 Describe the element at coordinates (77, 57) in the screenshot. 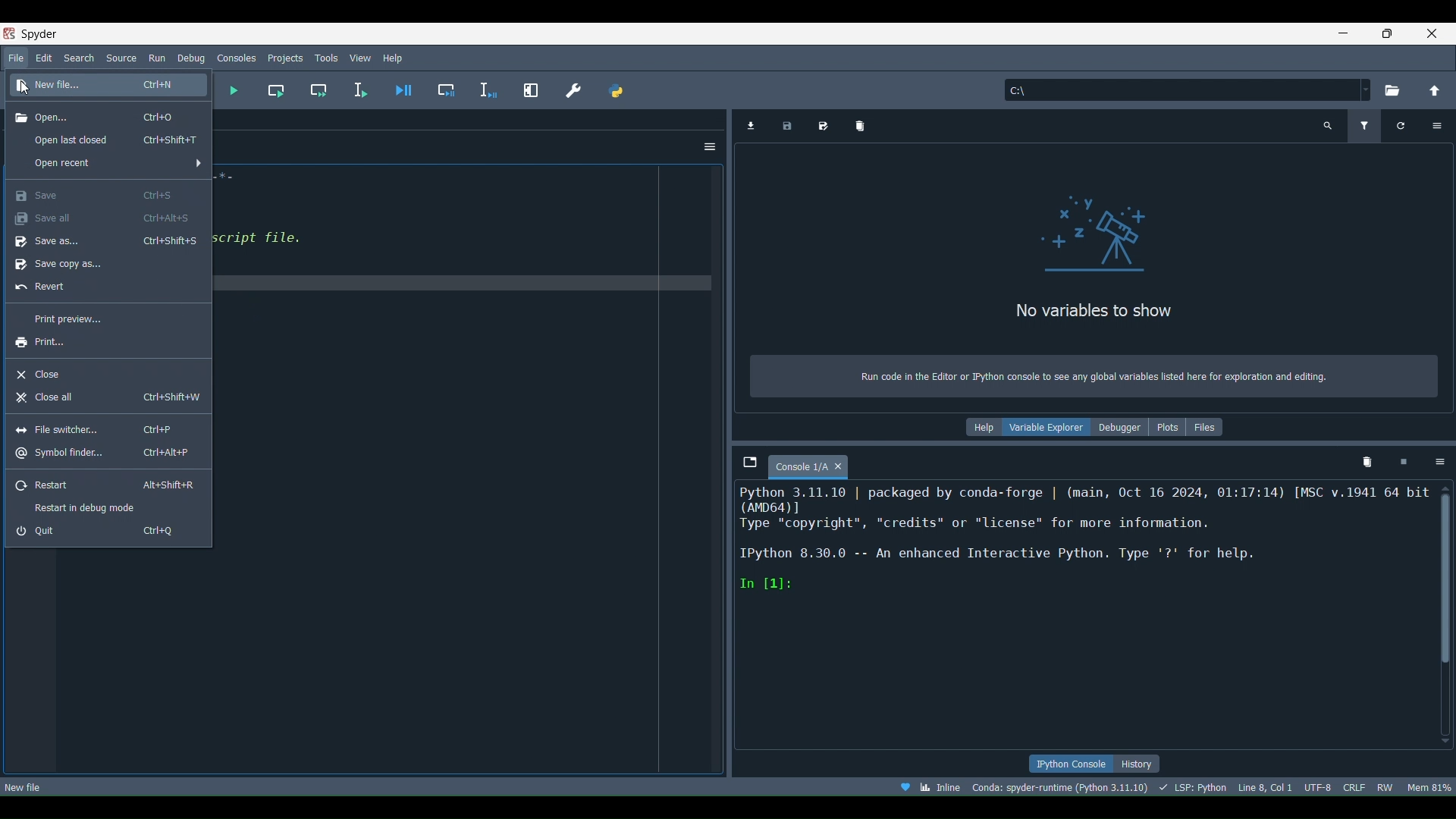

I see `Search` at that location.